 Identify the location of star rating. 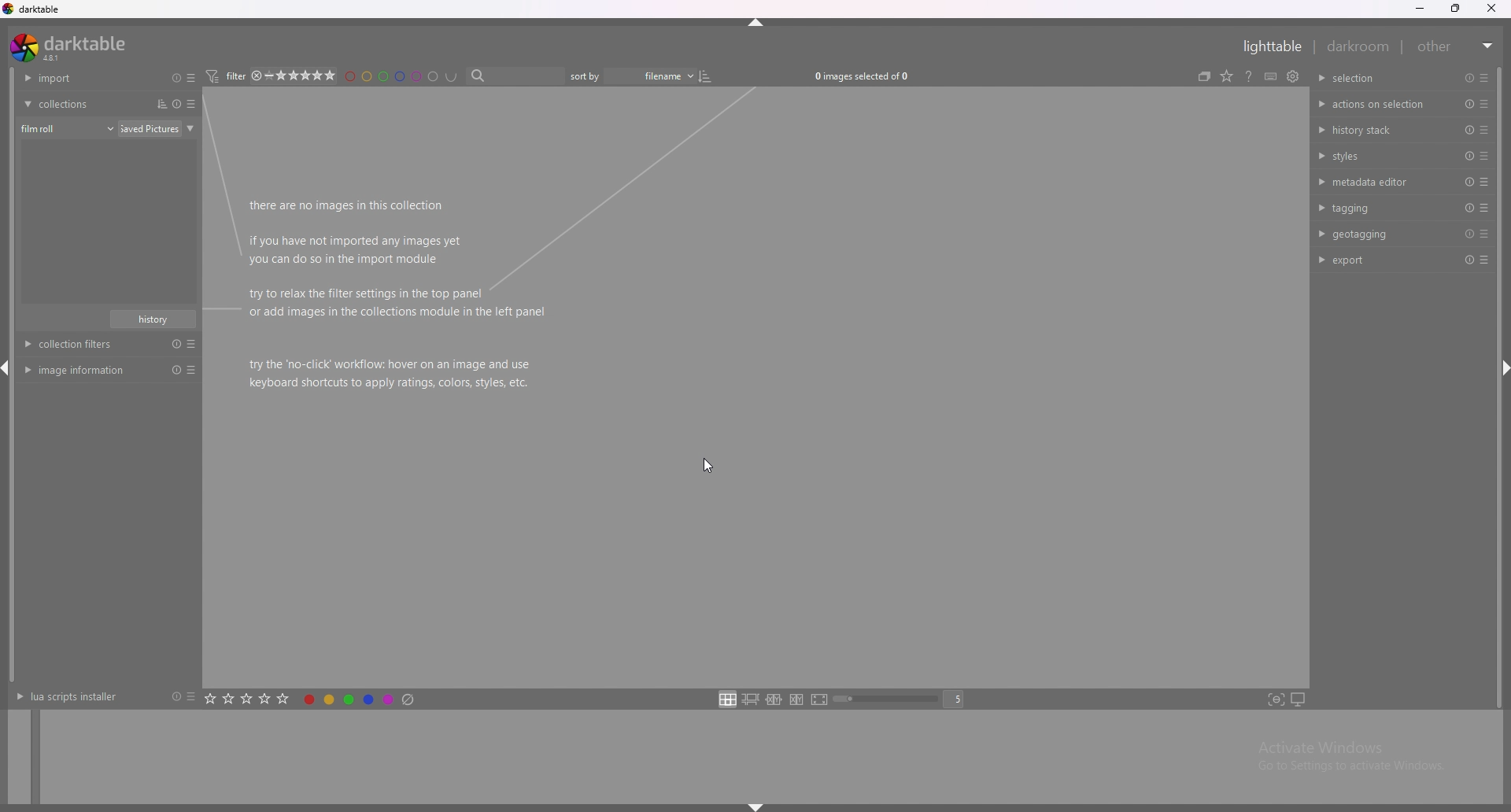
(311, 76).